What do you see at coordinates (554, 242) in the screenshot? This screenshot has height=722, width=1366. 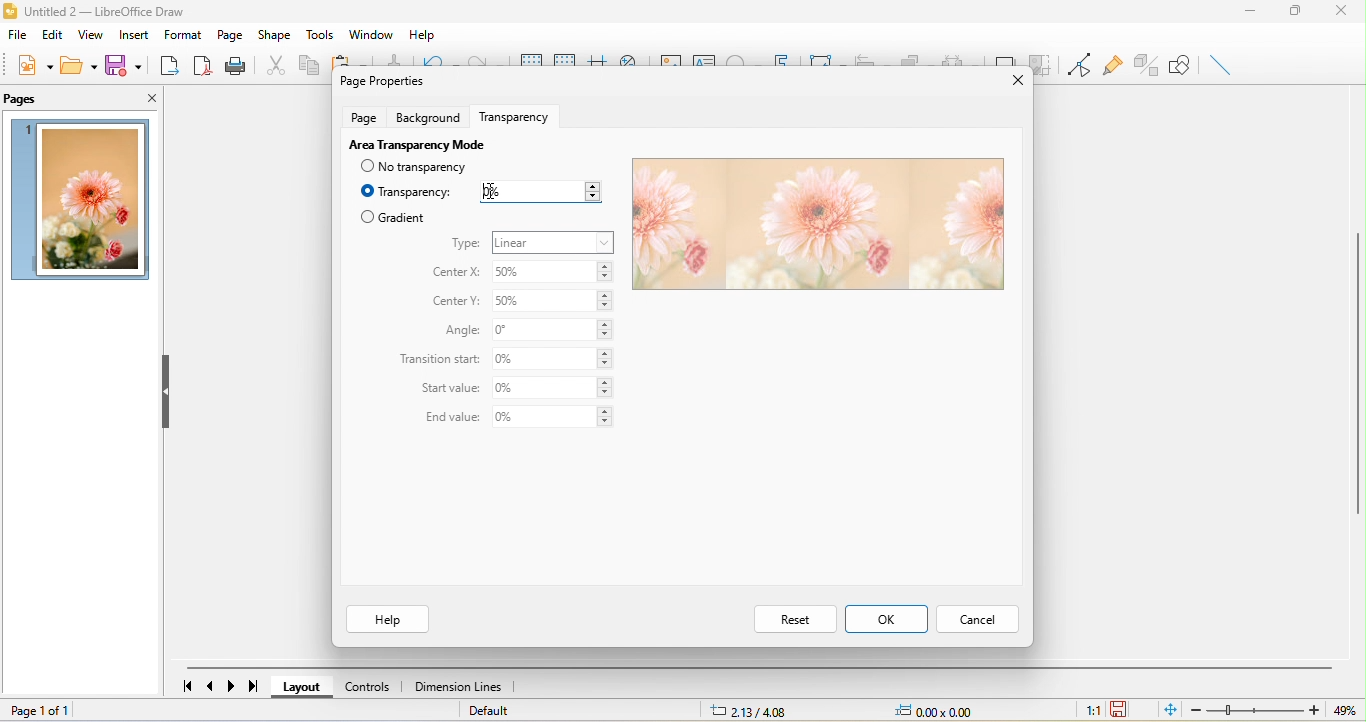 I see `linear` at bounding box center [554, 242].